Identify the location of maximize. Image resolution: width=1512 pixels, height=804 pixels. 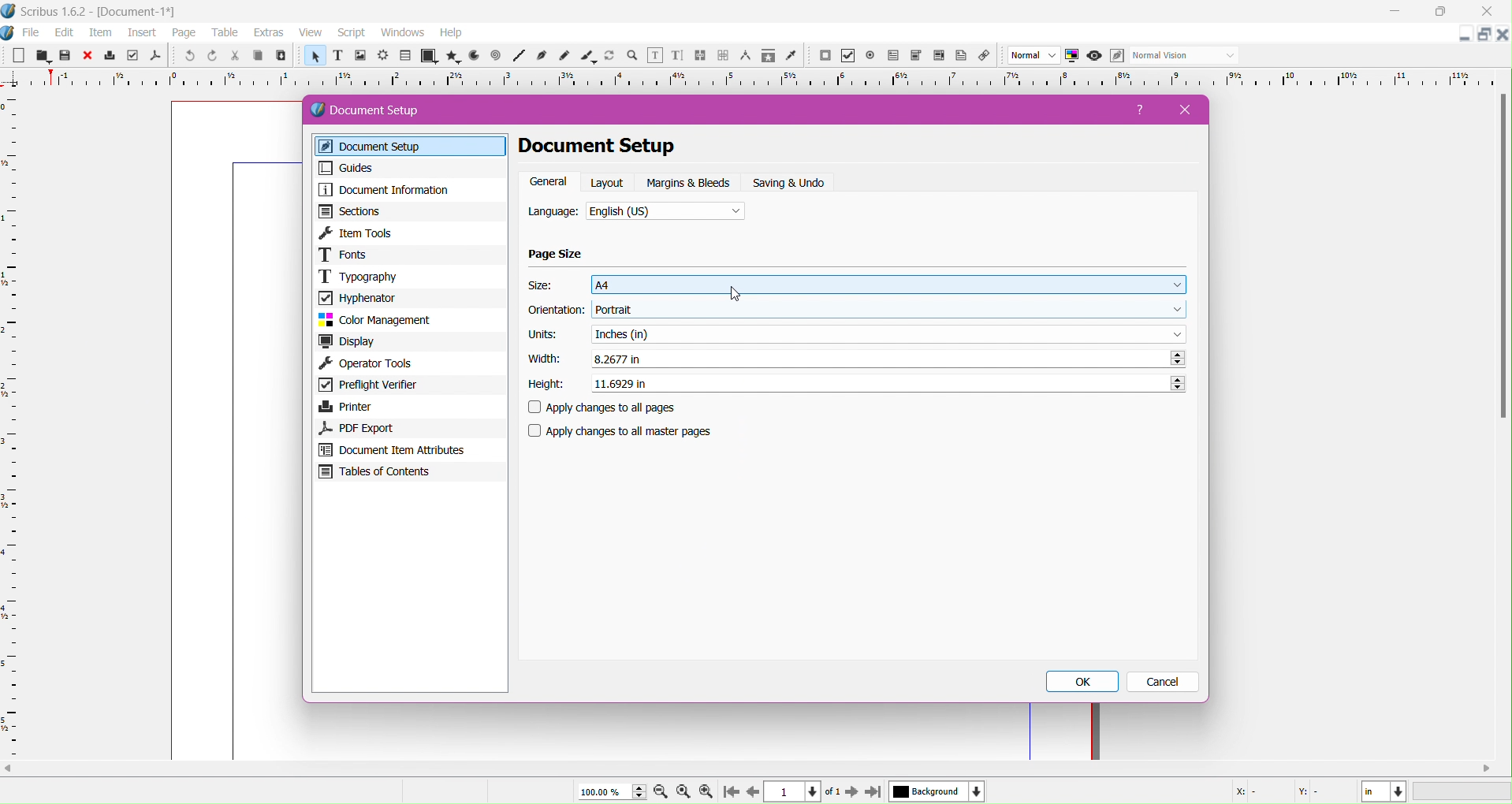
(1446, 12).